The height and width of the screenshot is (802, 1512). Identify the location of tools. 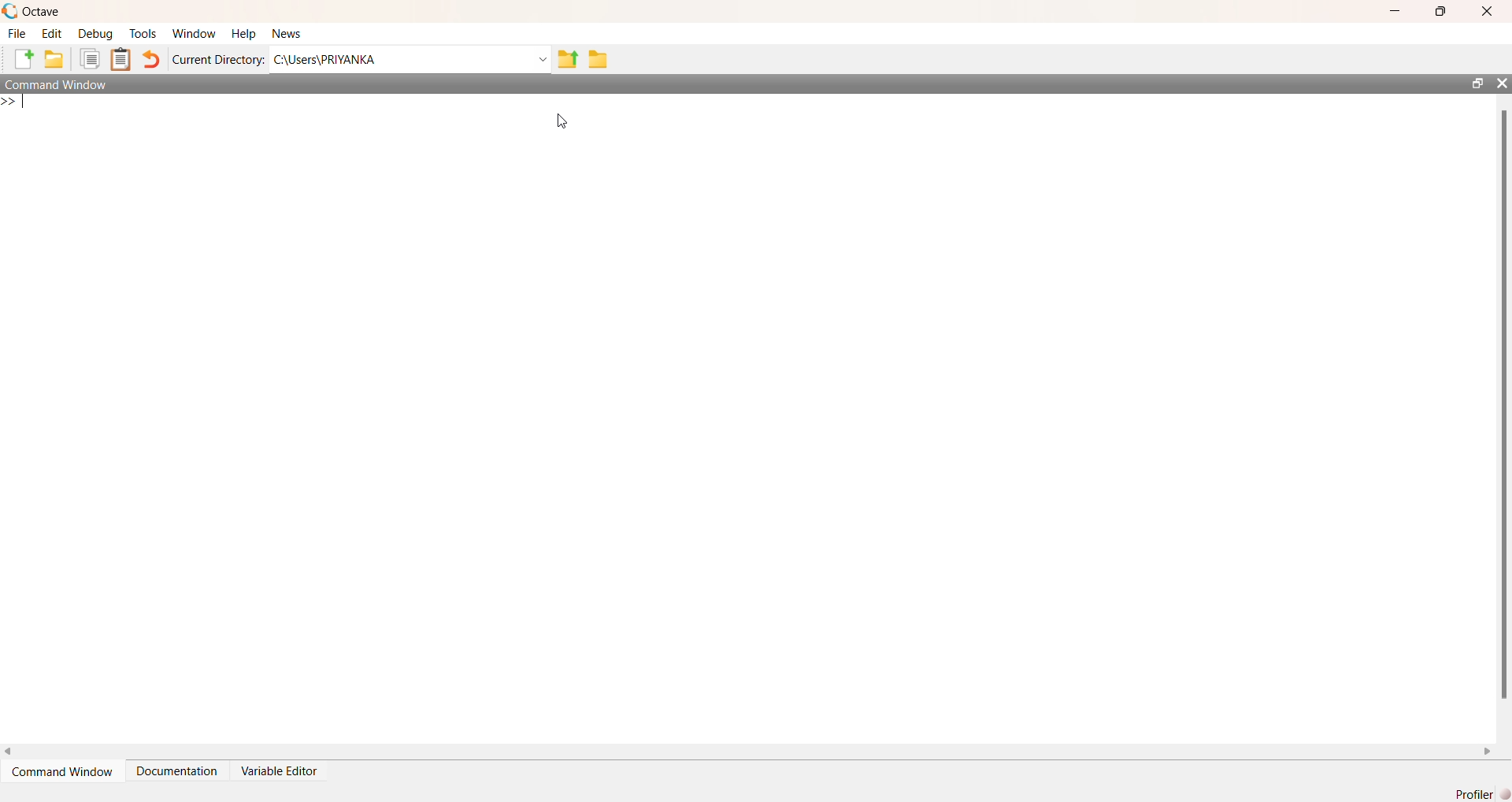
(142, 34).